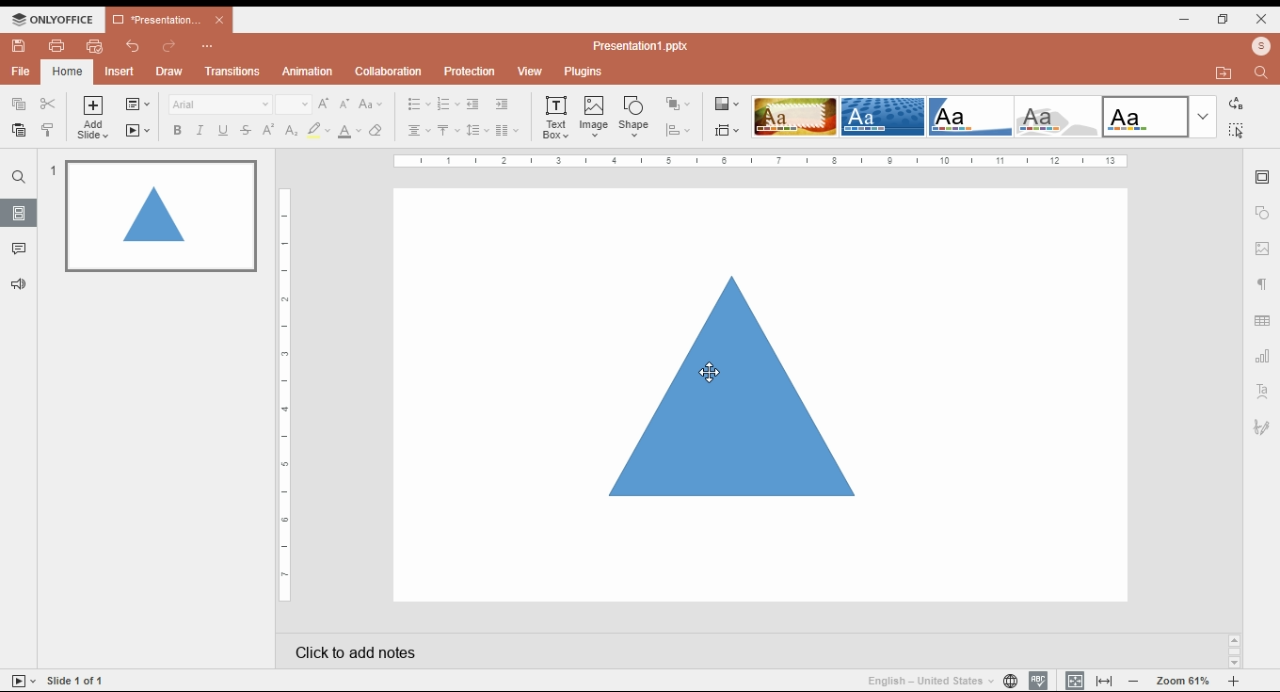  What do you see at coordinates (207, 47) in the screenshot?
I see `more options` at bounding box center [207, 47].